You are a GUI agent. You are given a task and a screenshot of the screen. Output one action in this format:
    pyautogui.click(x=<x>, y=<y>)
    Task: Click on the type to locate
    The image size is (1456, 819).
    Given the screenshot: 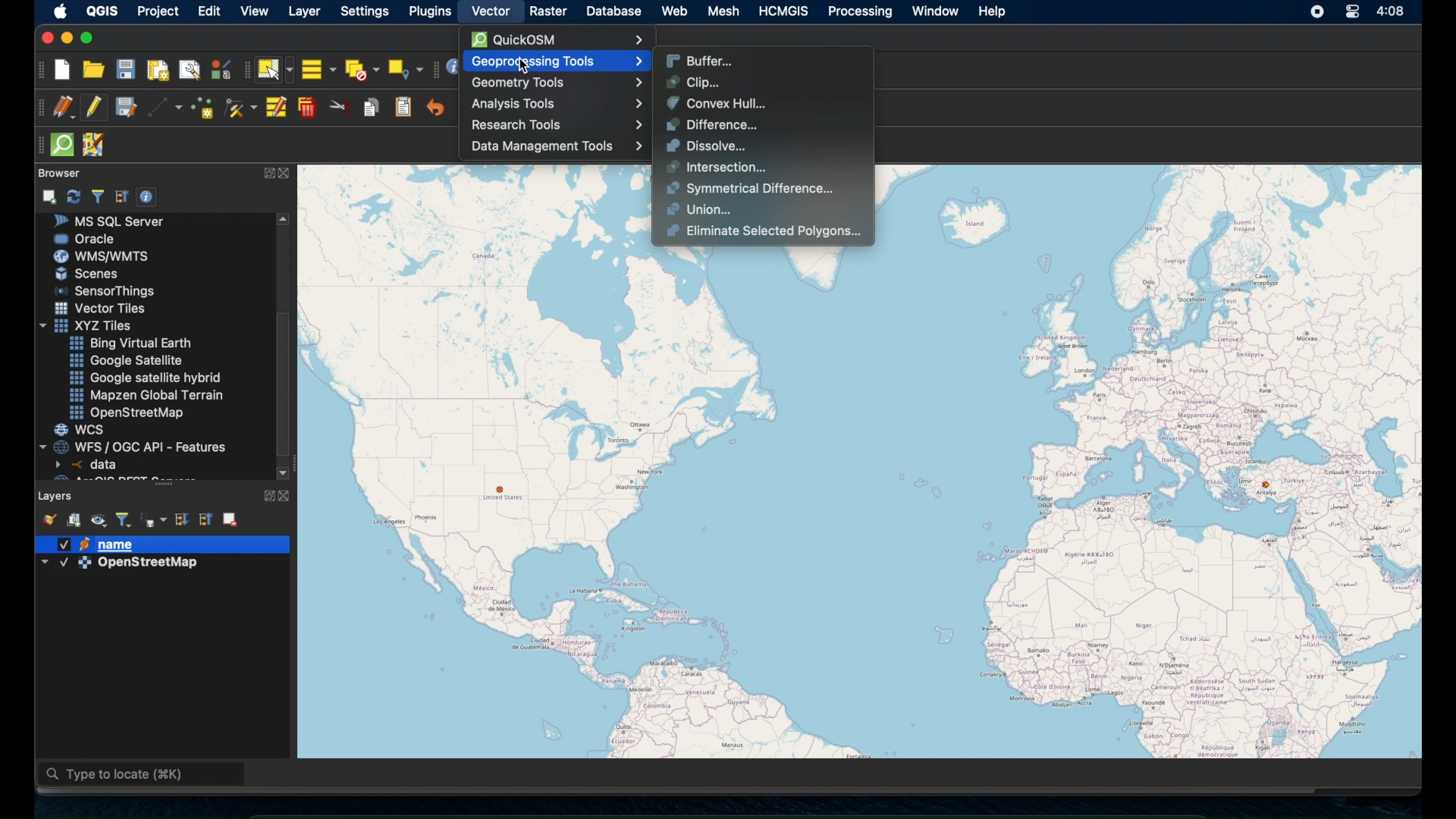 What is the action you would take?
    pyautogui.click(x=143, y=776)
    